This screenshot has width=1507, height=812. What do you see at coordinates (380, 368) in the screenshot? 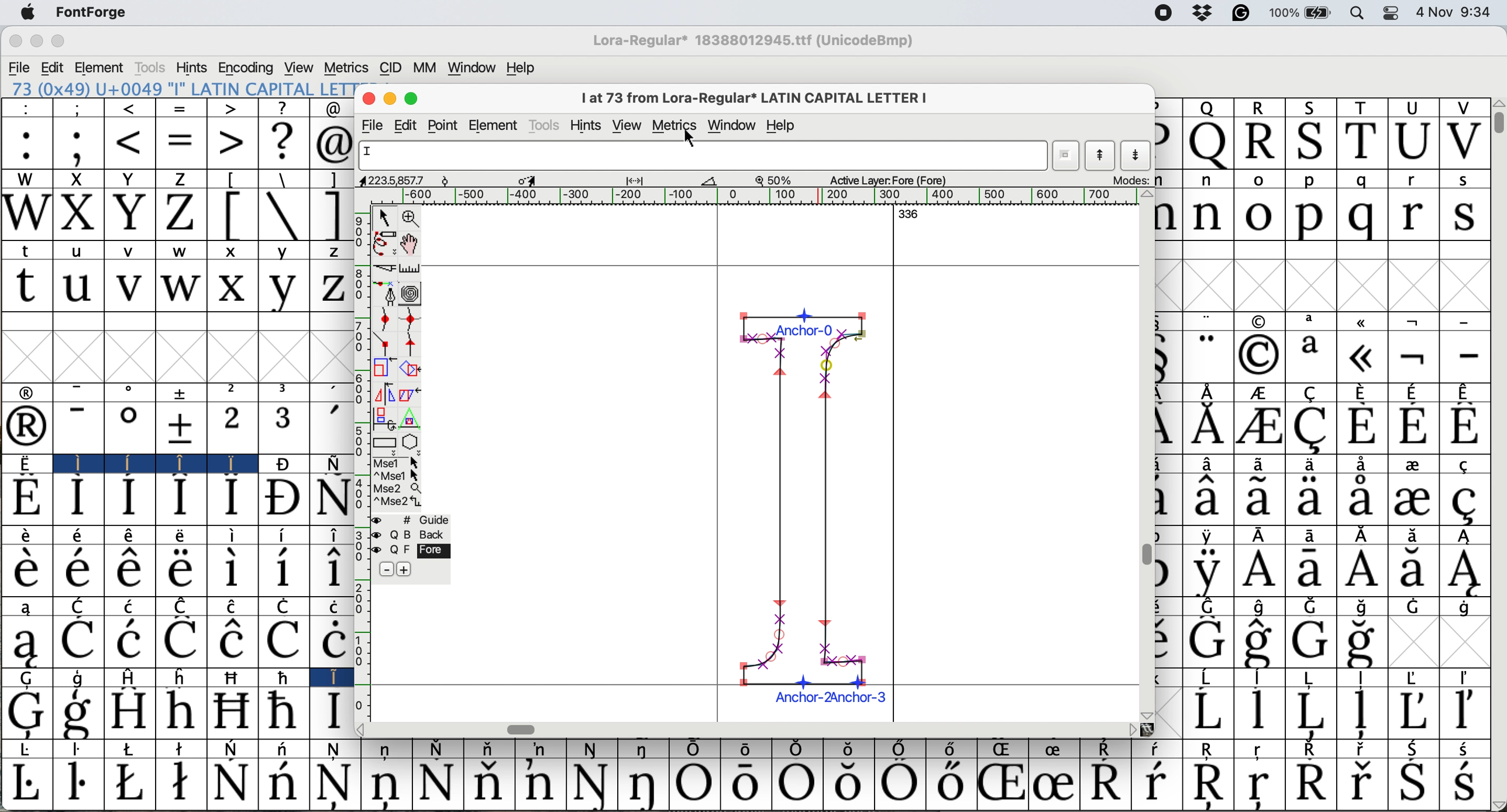
I see `scale the selection` at bounding box center [380, 368].